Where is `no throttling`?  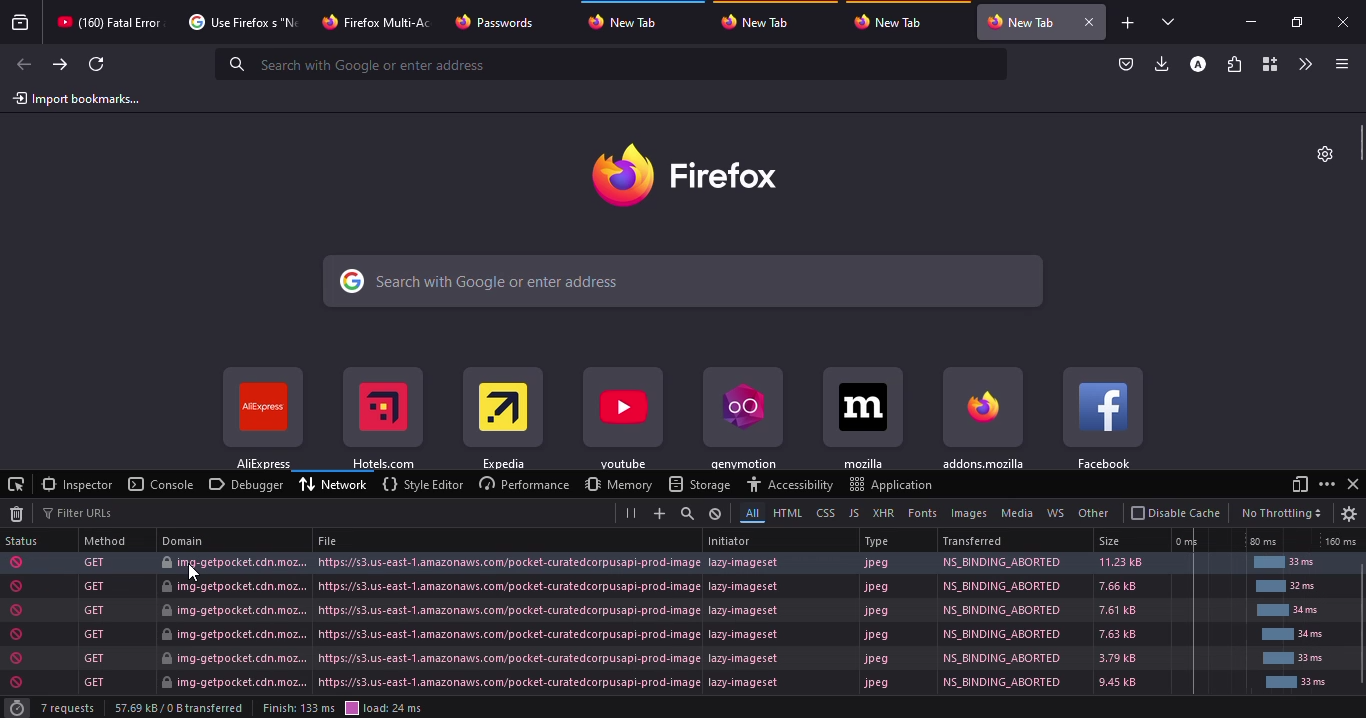 no throttling is located at coordinates (1281, 513).